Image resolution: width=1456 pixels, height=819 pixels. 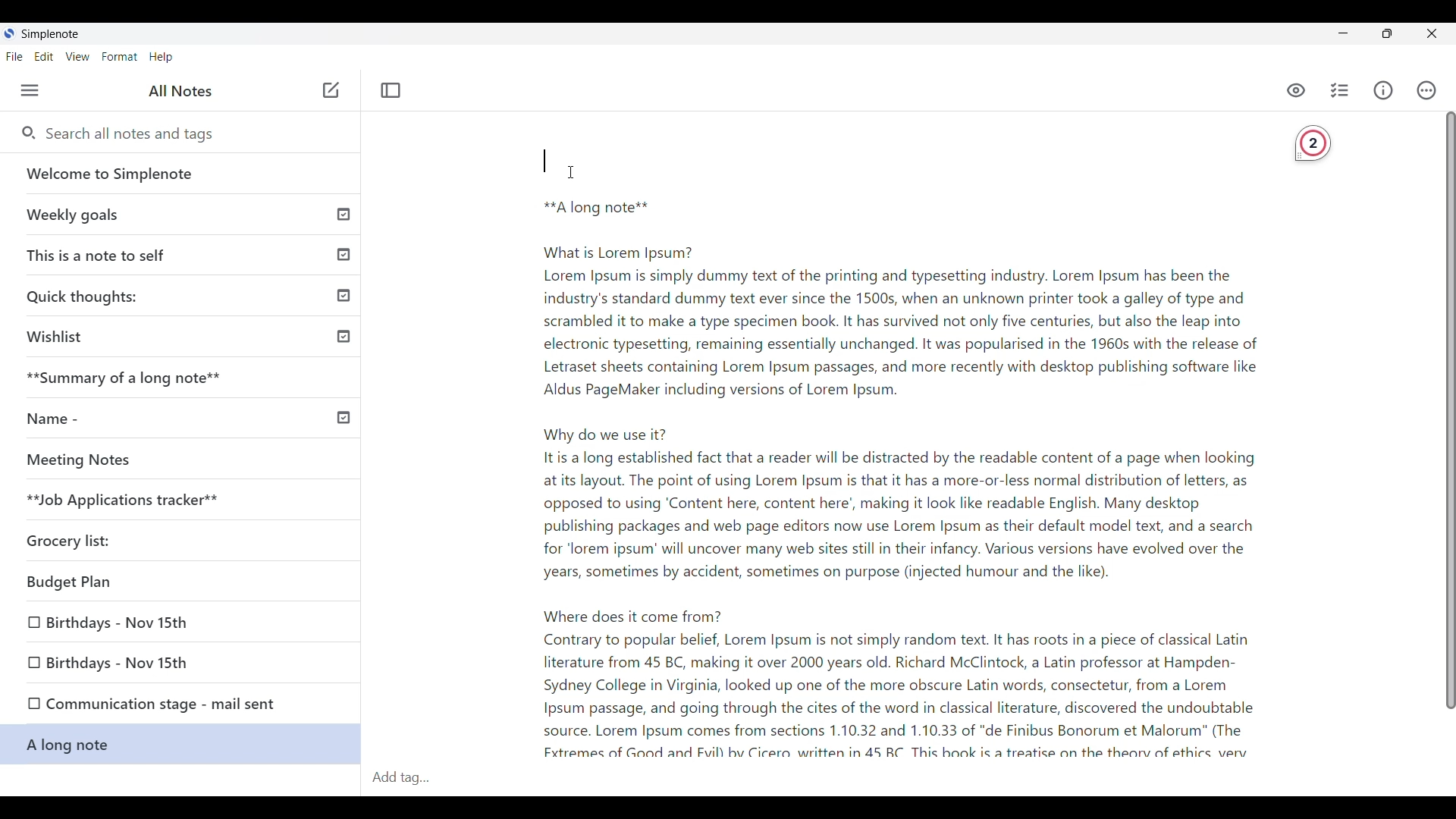 I want to click on Actions, so click(x=1427, y=90).